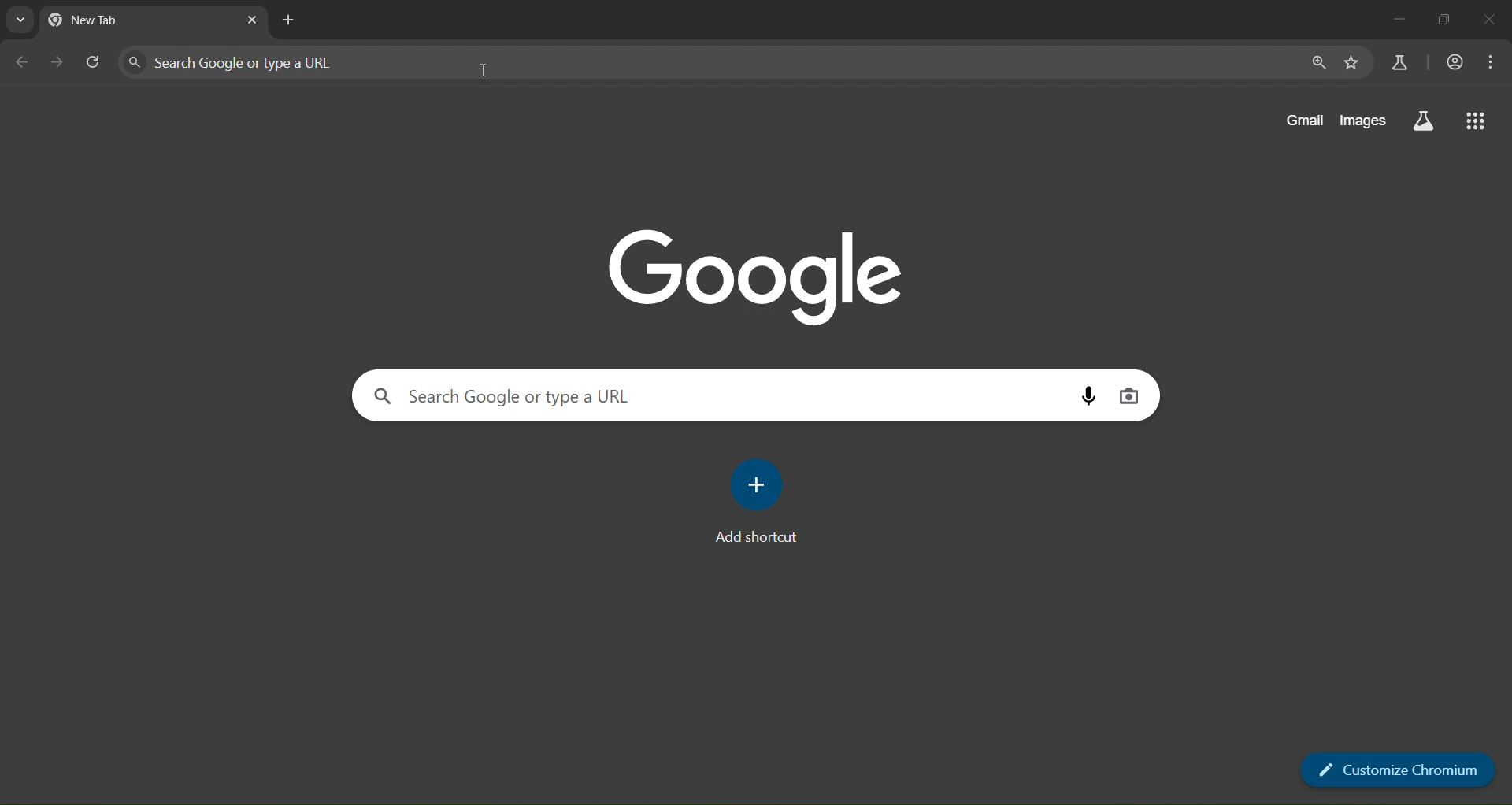 The width and height of the screenshot is (1512, 805). I want to click on menu, so click(1487, 61).